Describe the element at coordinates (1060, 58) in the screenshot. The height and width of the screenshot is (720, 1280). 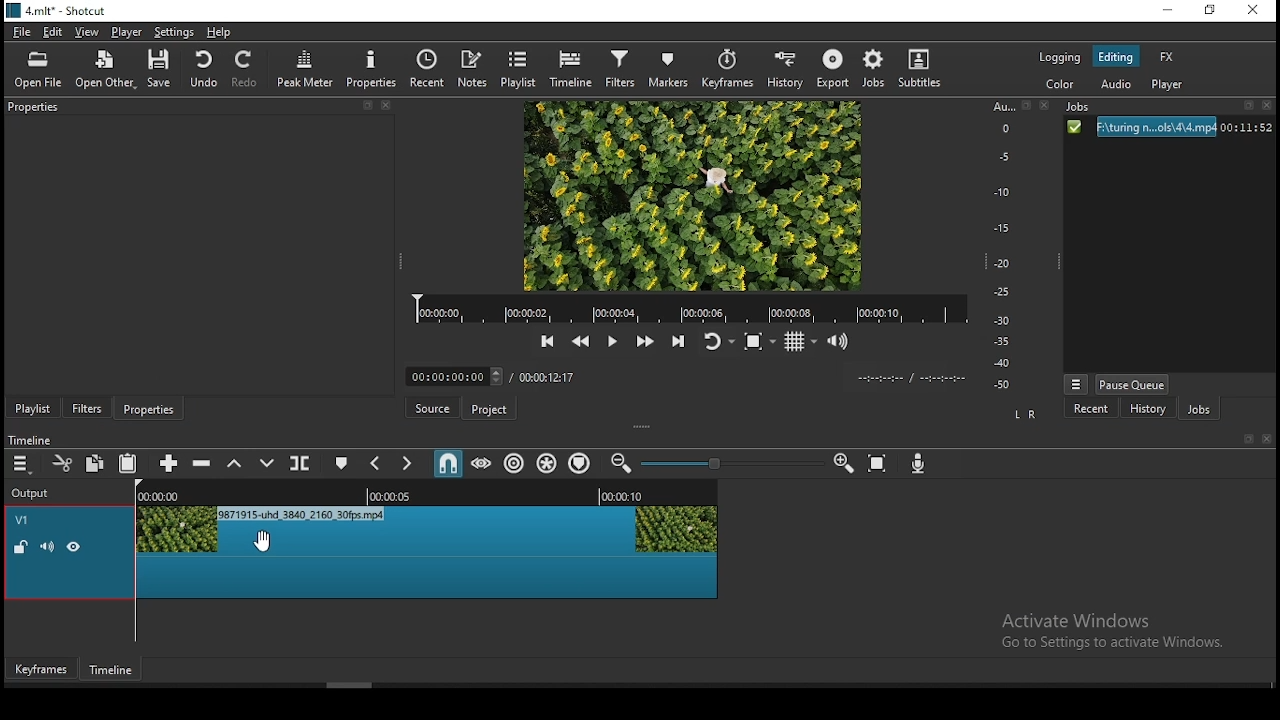
I see `logging` at that location.